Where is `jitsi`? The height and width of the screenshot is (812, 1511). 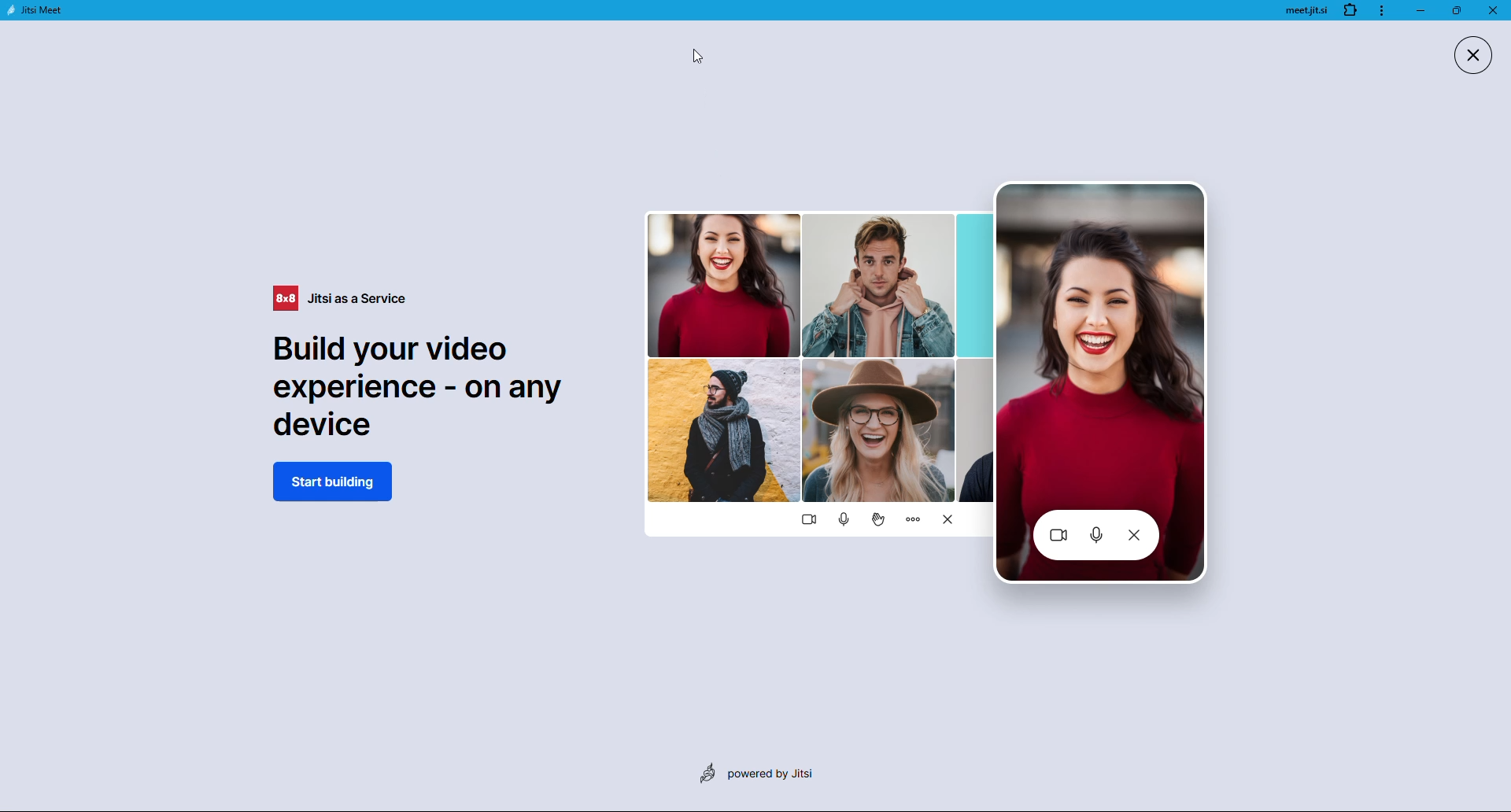
jitsi is located at coordinates (36, 15).